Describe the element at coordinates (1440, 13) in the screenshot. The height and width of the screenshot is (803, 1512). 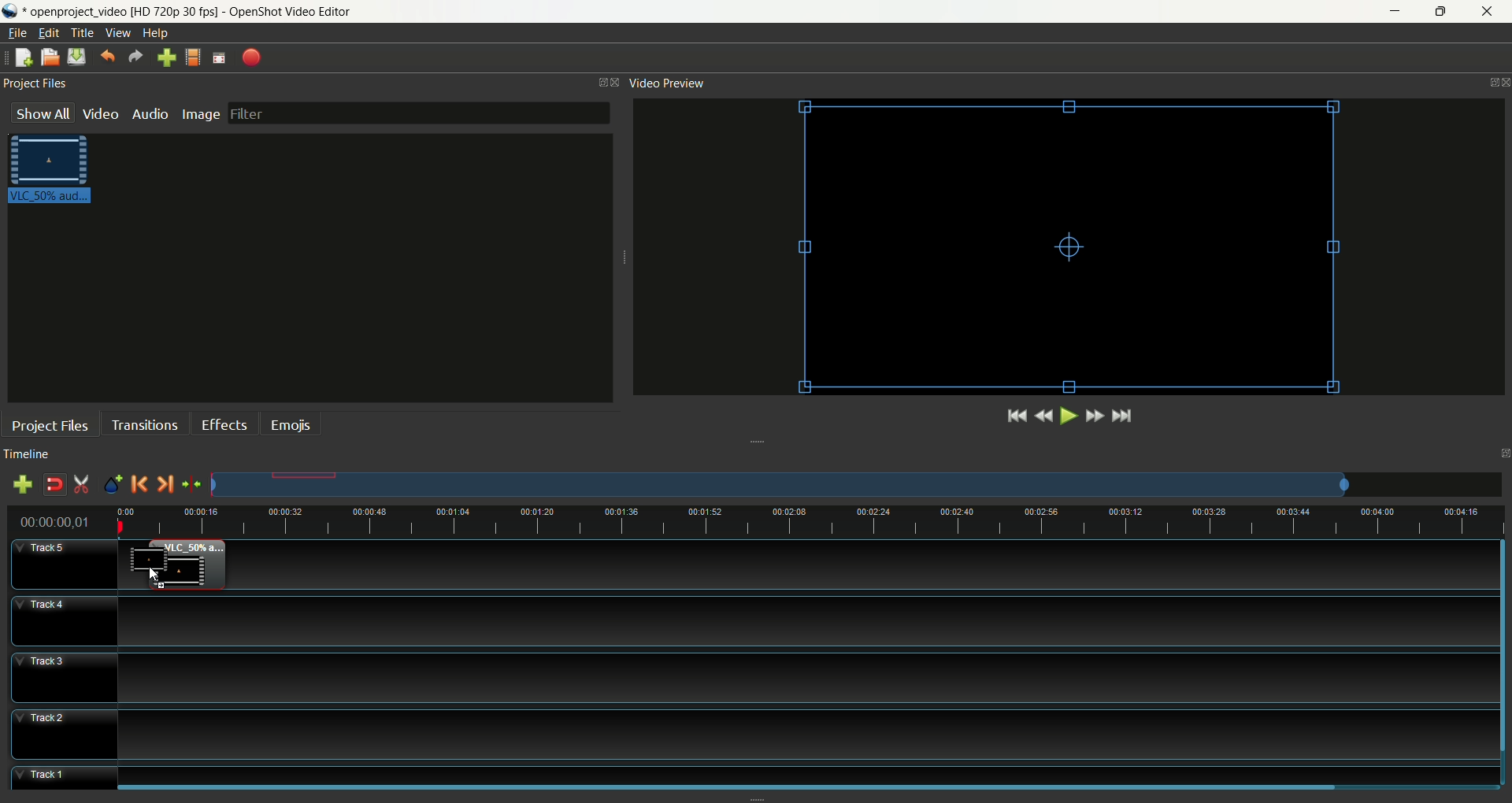
I see `maximize` at that location.